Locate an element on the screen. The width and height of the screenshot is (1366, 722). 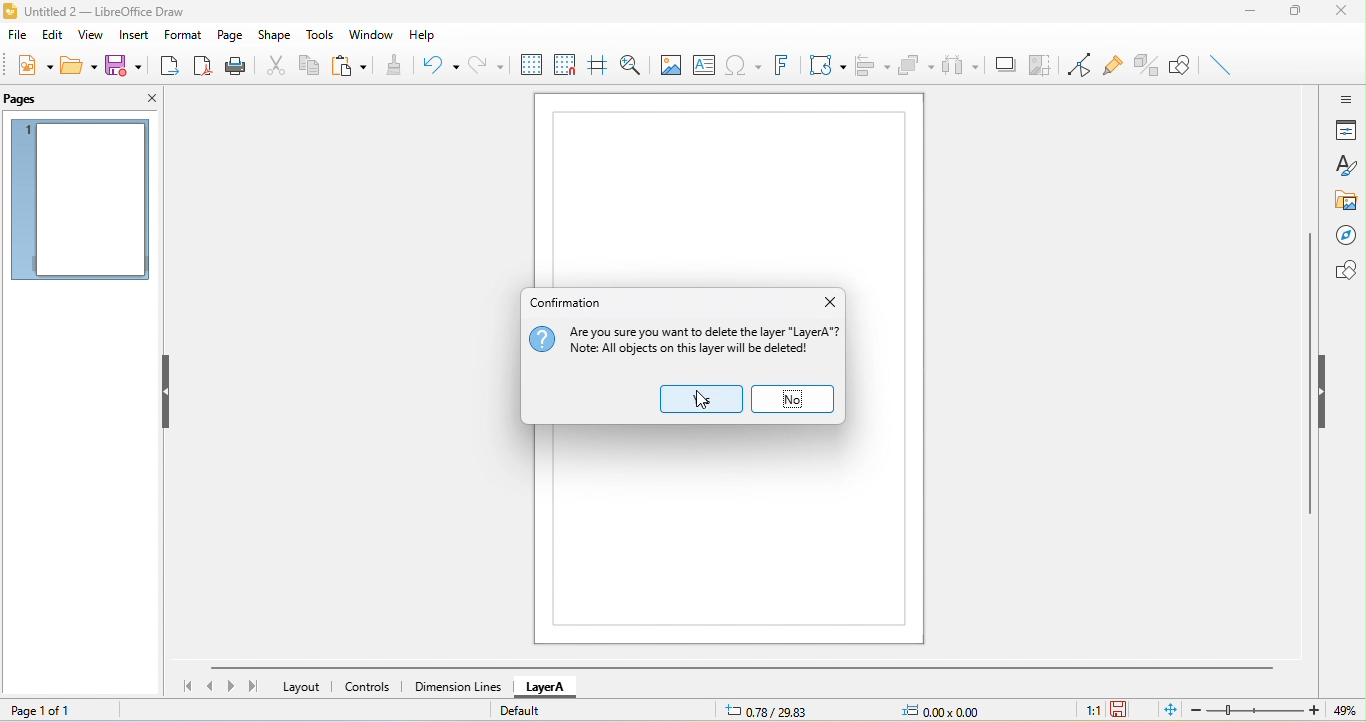
Are you sure you want To delete The layer "Layer A"? Note: All objects on this layer will be deleted! is located at coordinates (704, 340).